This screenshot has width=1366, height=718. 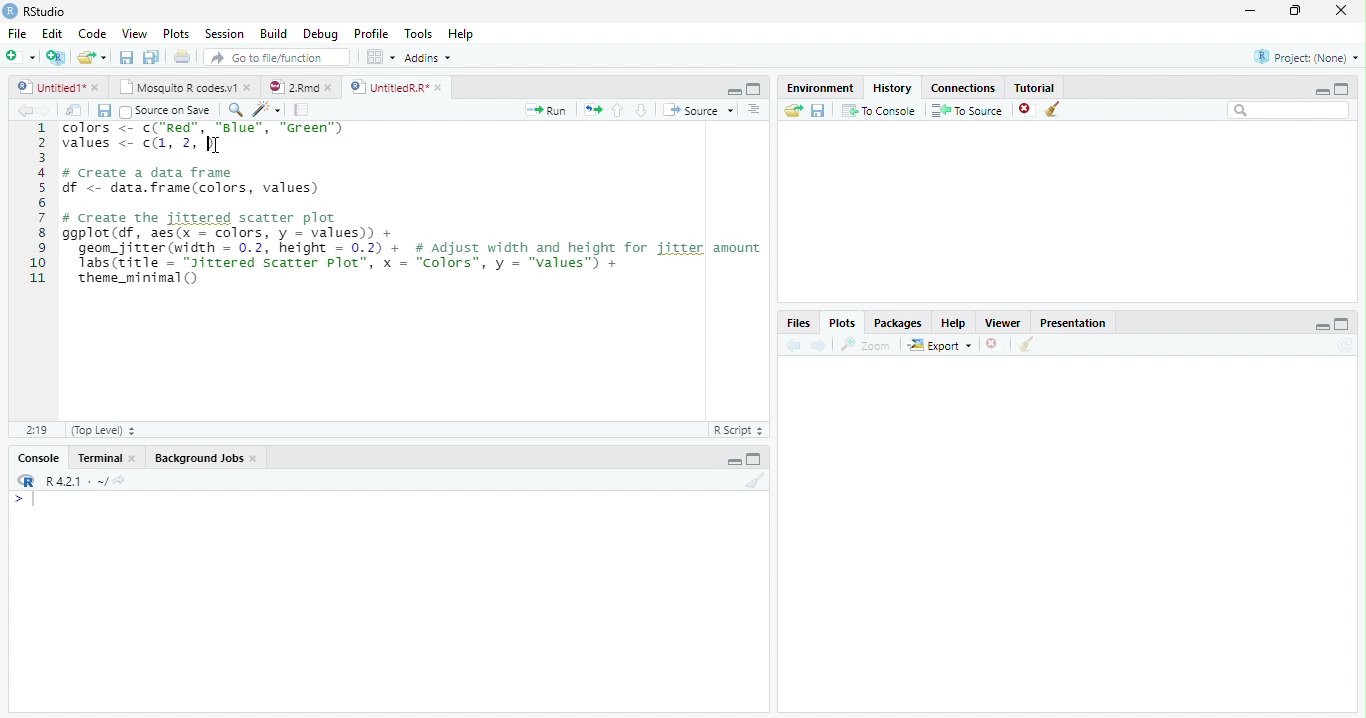 I want to click on Save current document, so click(x=127, y=57).